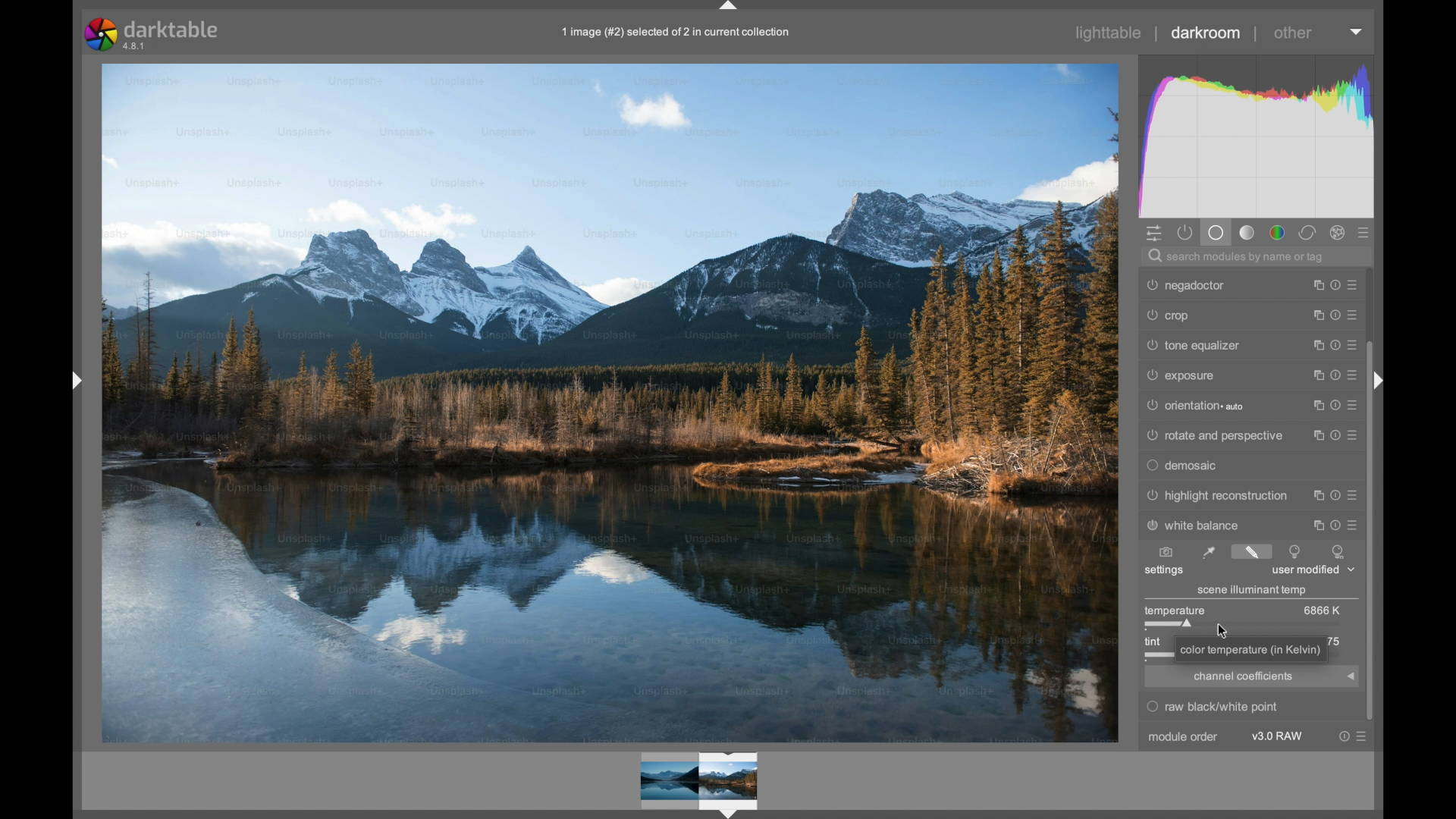 This screenshot has width=1456, height=819. What do you see at coordinates (1236, 257) in the screenshot?
I see `search modules by name or tag` at bounding box center [1236, 257].